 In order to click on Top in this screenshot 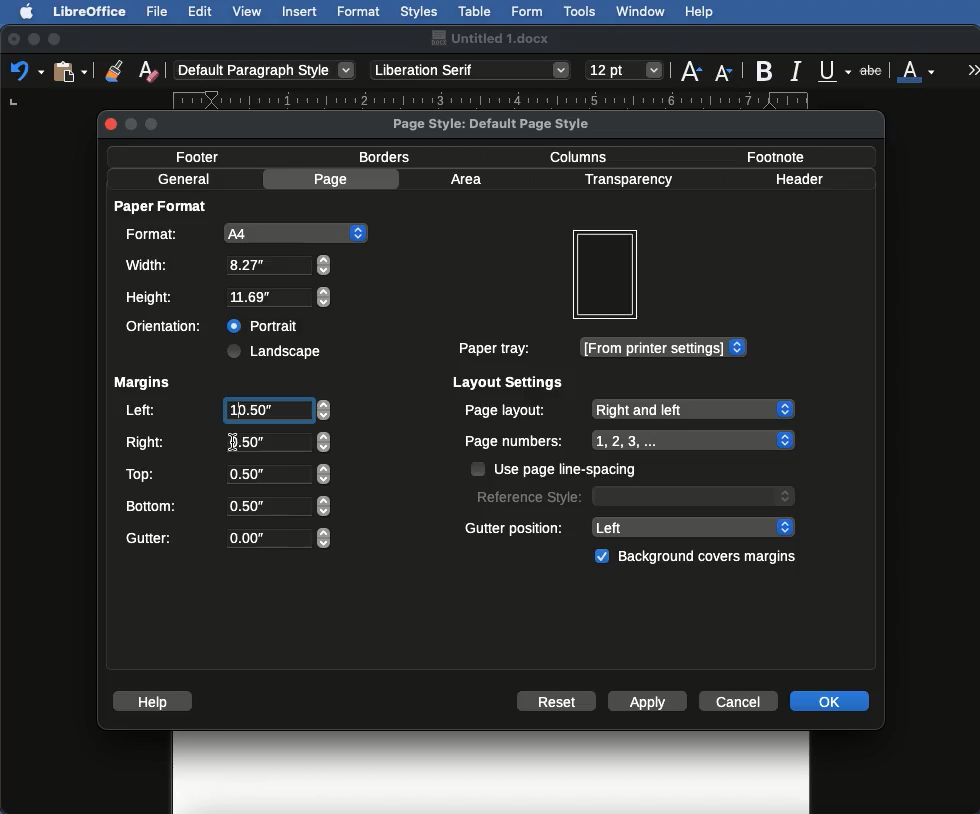, I will do `click(225, 474)`.